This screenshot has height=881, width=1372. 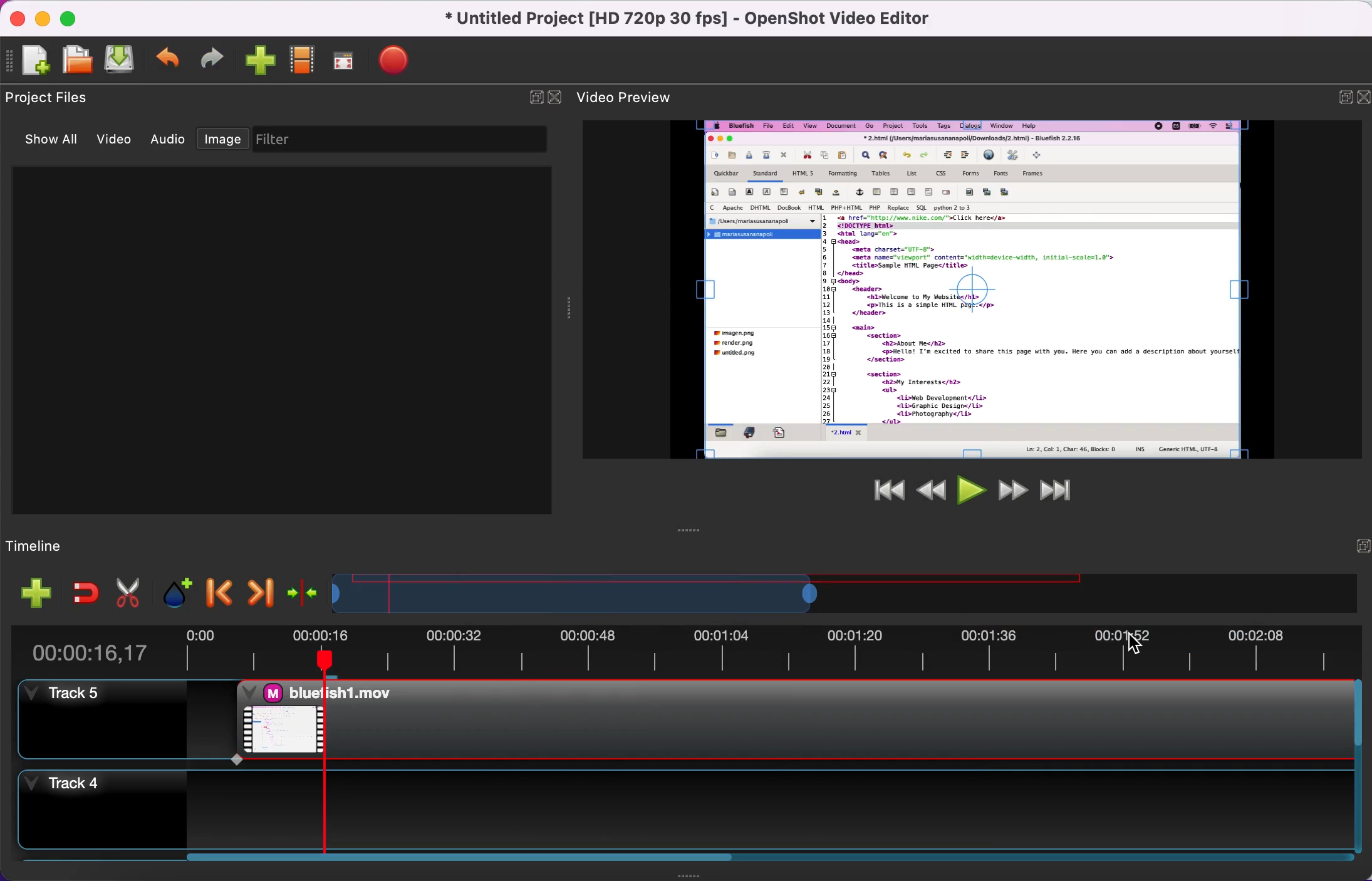 I want to click on expand/hide, so click(x=530, y=97).